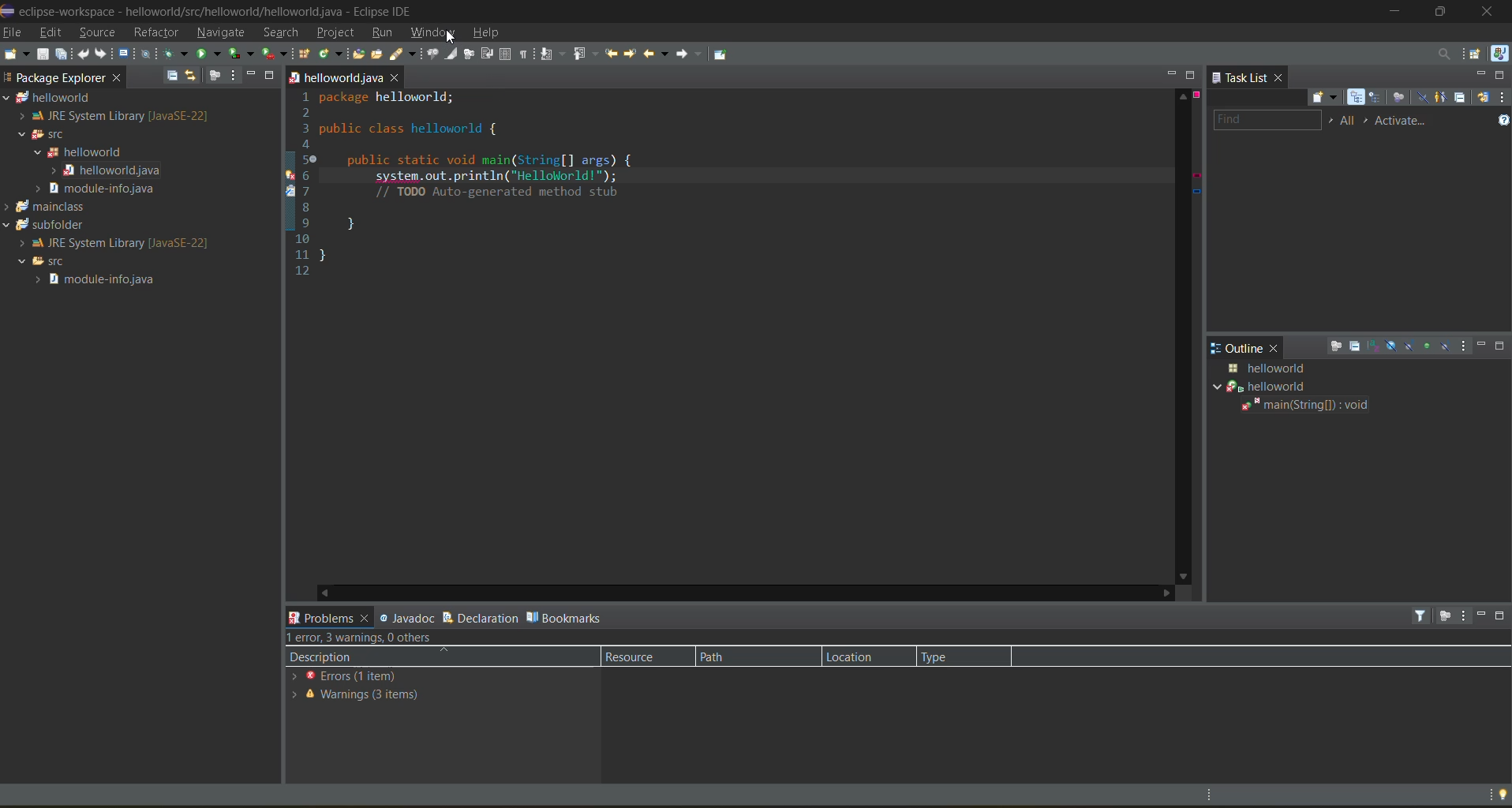 This screenshot has width=1512, height=808. Describe the element at coordinates (1269, 121) in the screenshot. I see `find` at that location.